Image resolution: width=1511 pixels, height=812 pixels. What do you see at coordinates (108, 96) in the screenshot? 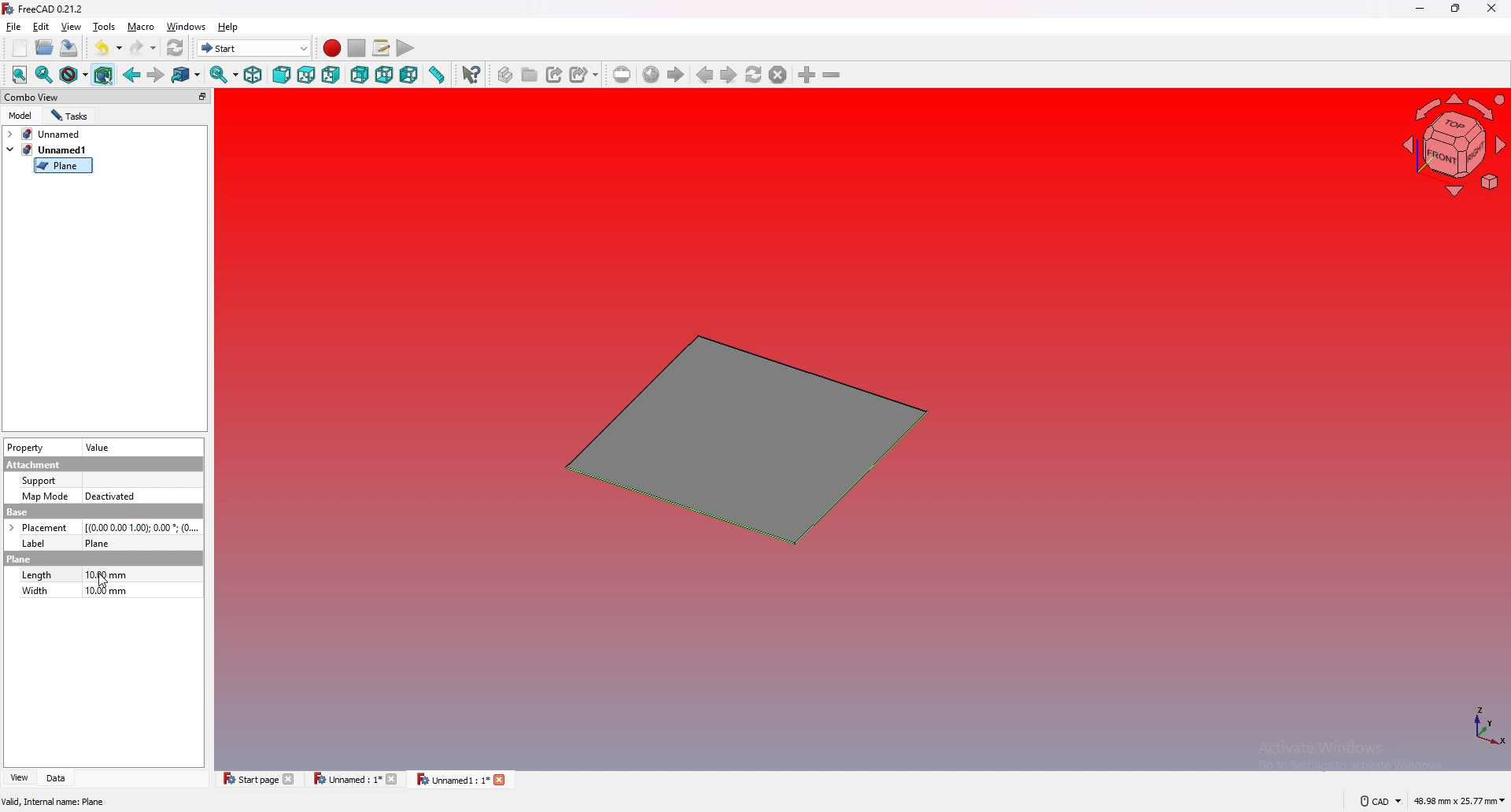
I see `combo view` at bounding box center [108, 96].